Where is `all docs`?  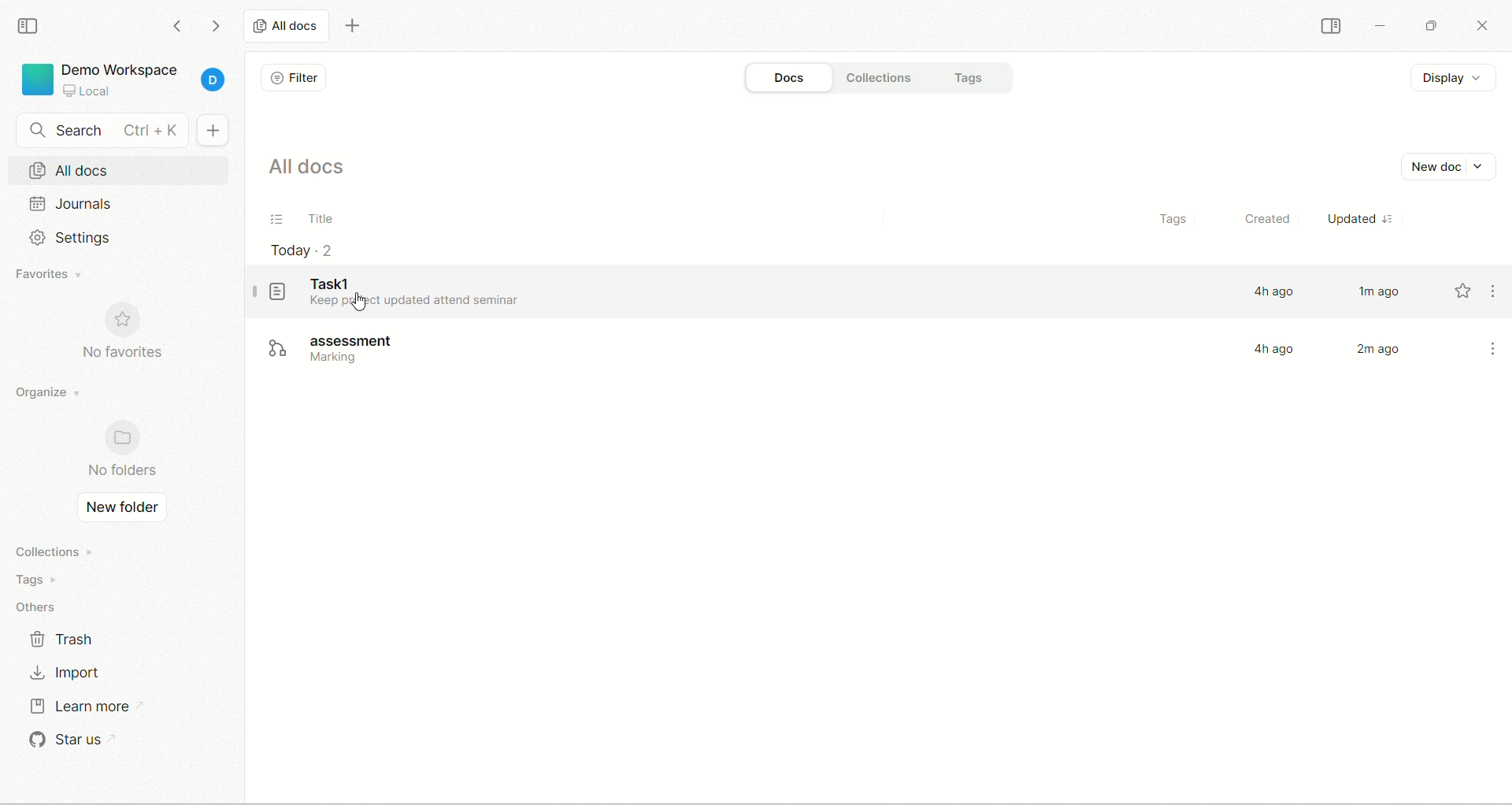 all docs is located at coordinates (285, 28).